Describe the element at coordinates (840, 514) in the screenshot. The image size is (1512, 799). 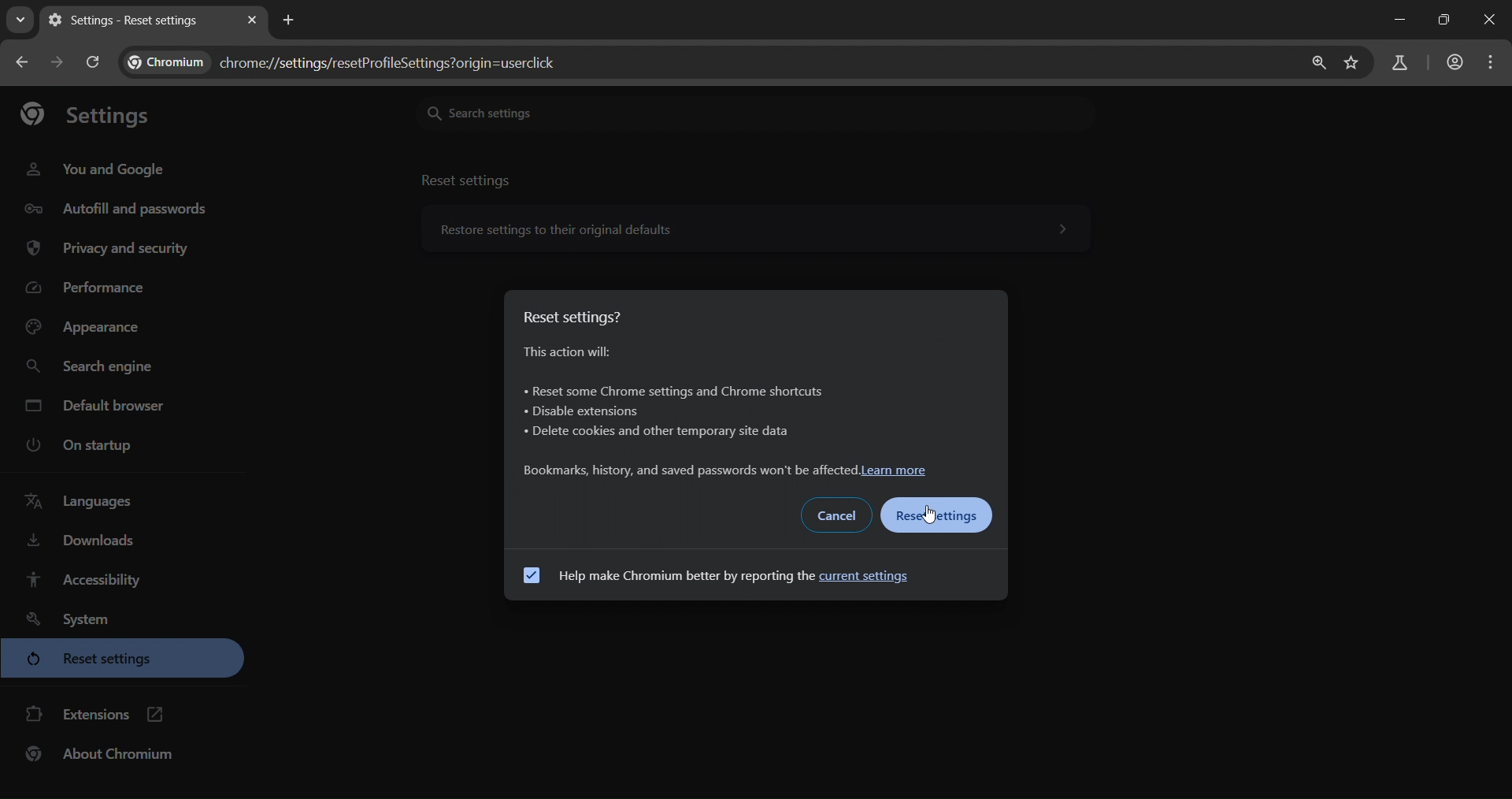
I see `cancel` at that location.